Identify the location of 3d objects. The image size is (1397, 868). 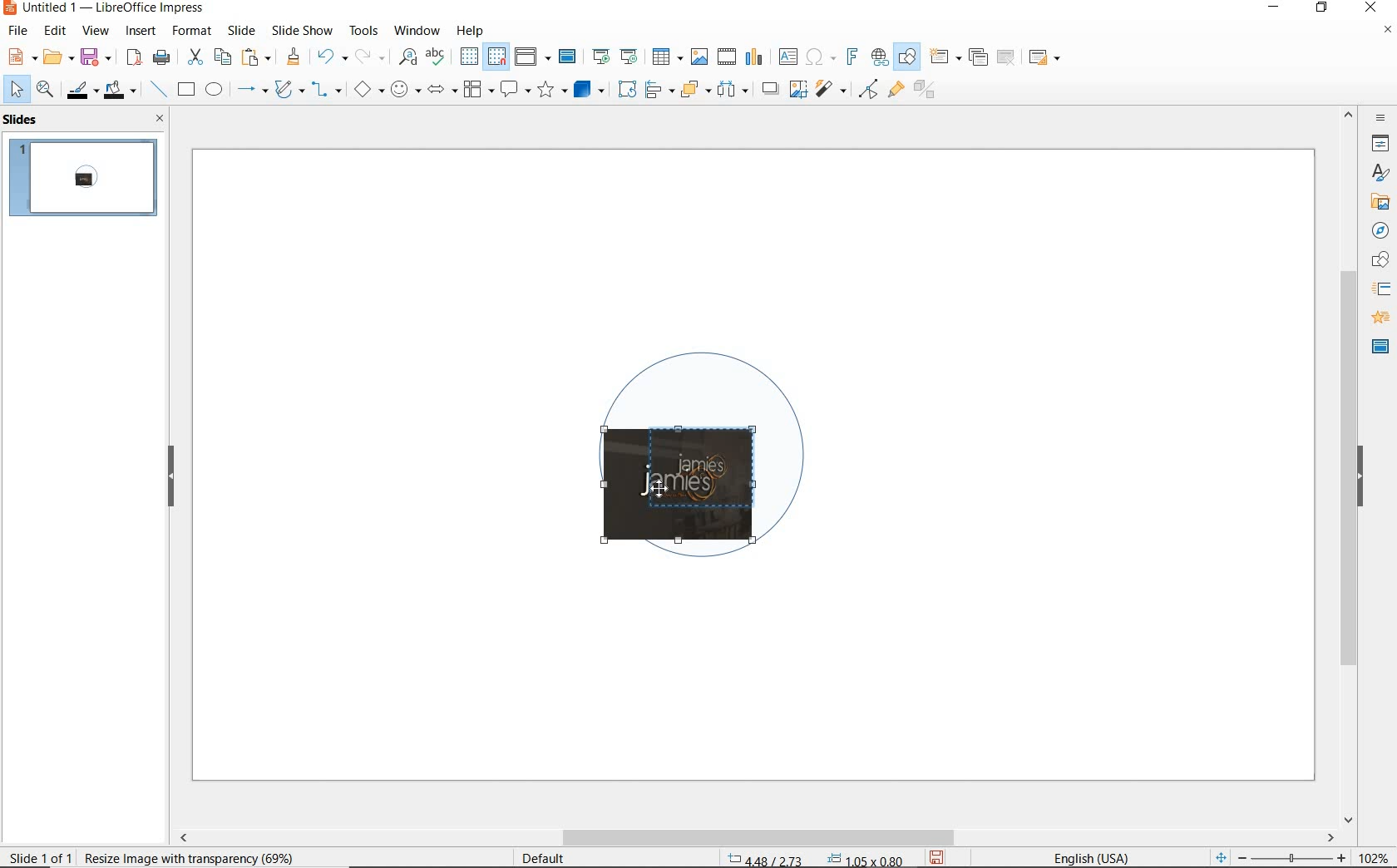
(590, 90).